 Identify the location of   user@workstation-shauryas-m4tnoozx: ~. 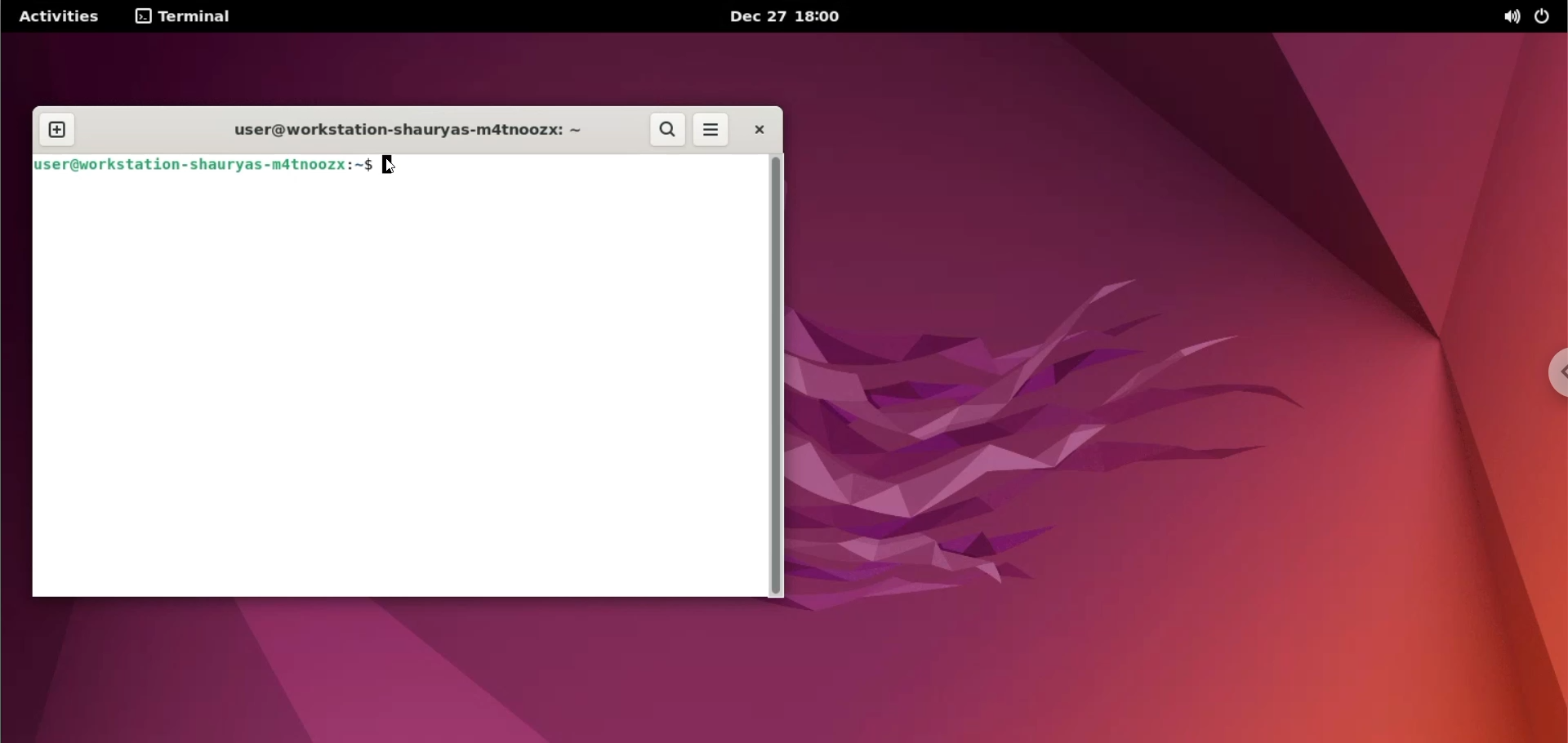
(204, 164).